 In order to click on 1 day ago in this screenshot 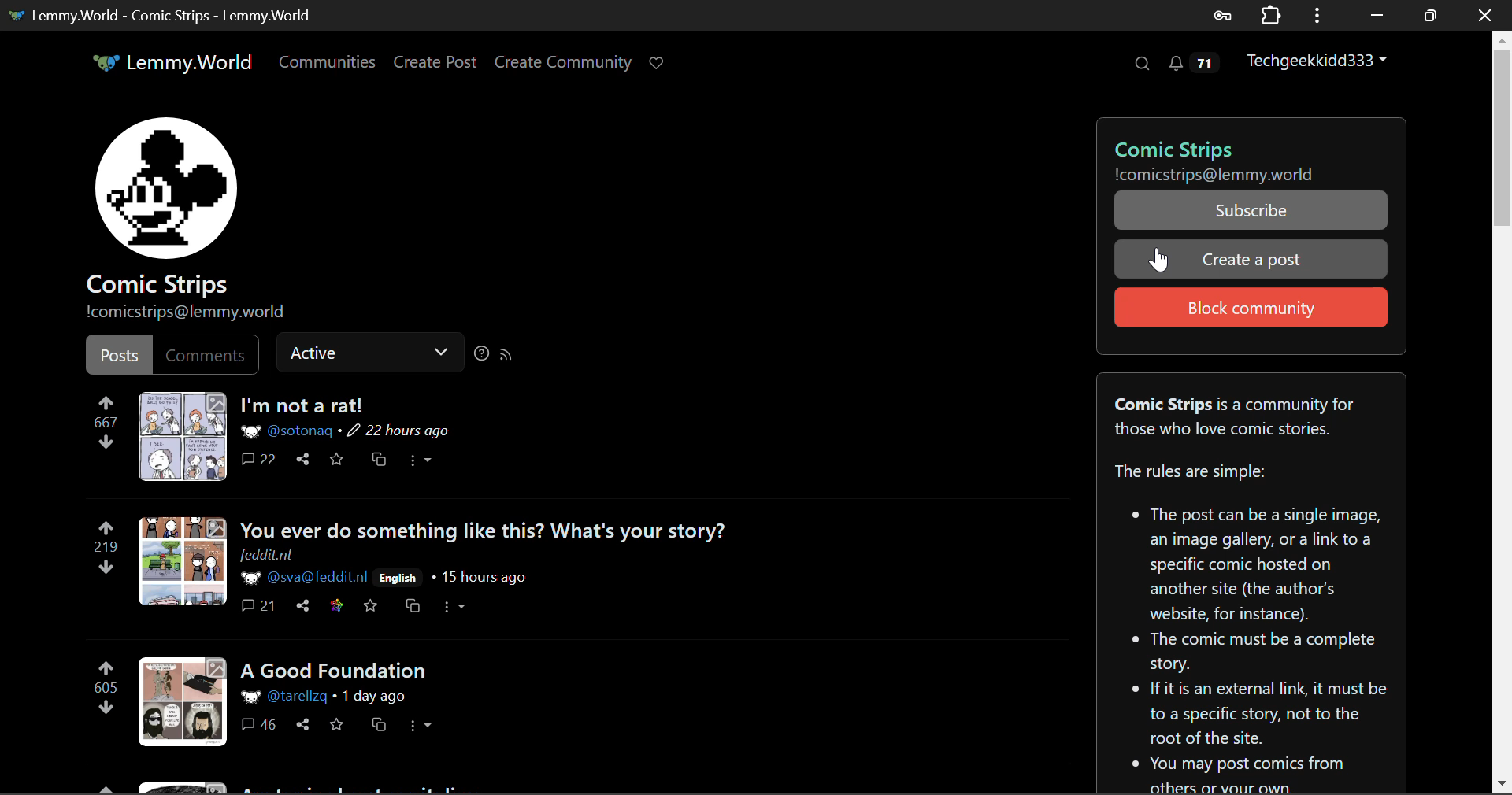, I will do `click(376, 694)`.